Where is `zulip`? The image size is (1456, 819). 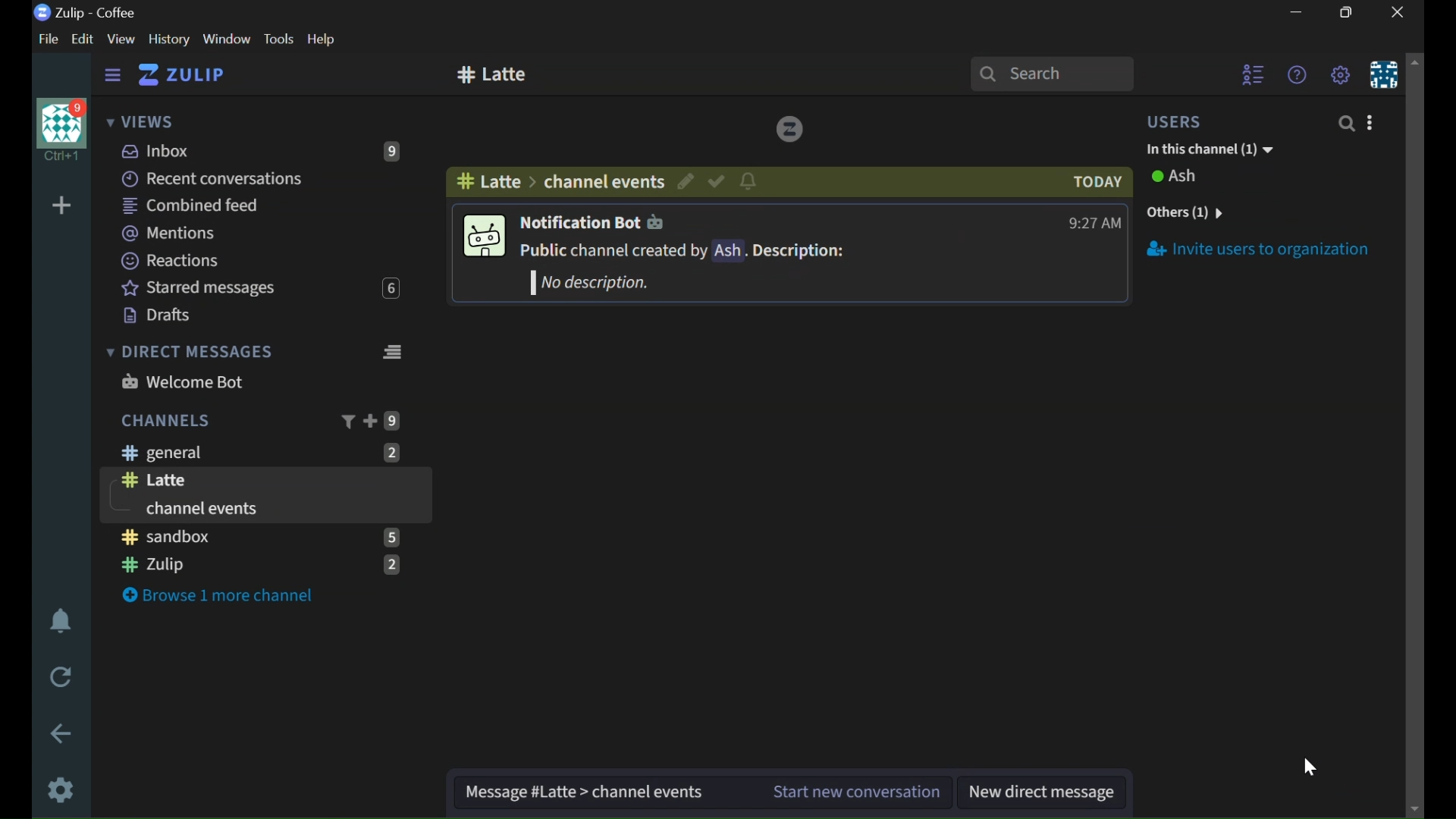
zulip is located at coordinates (259, 565).